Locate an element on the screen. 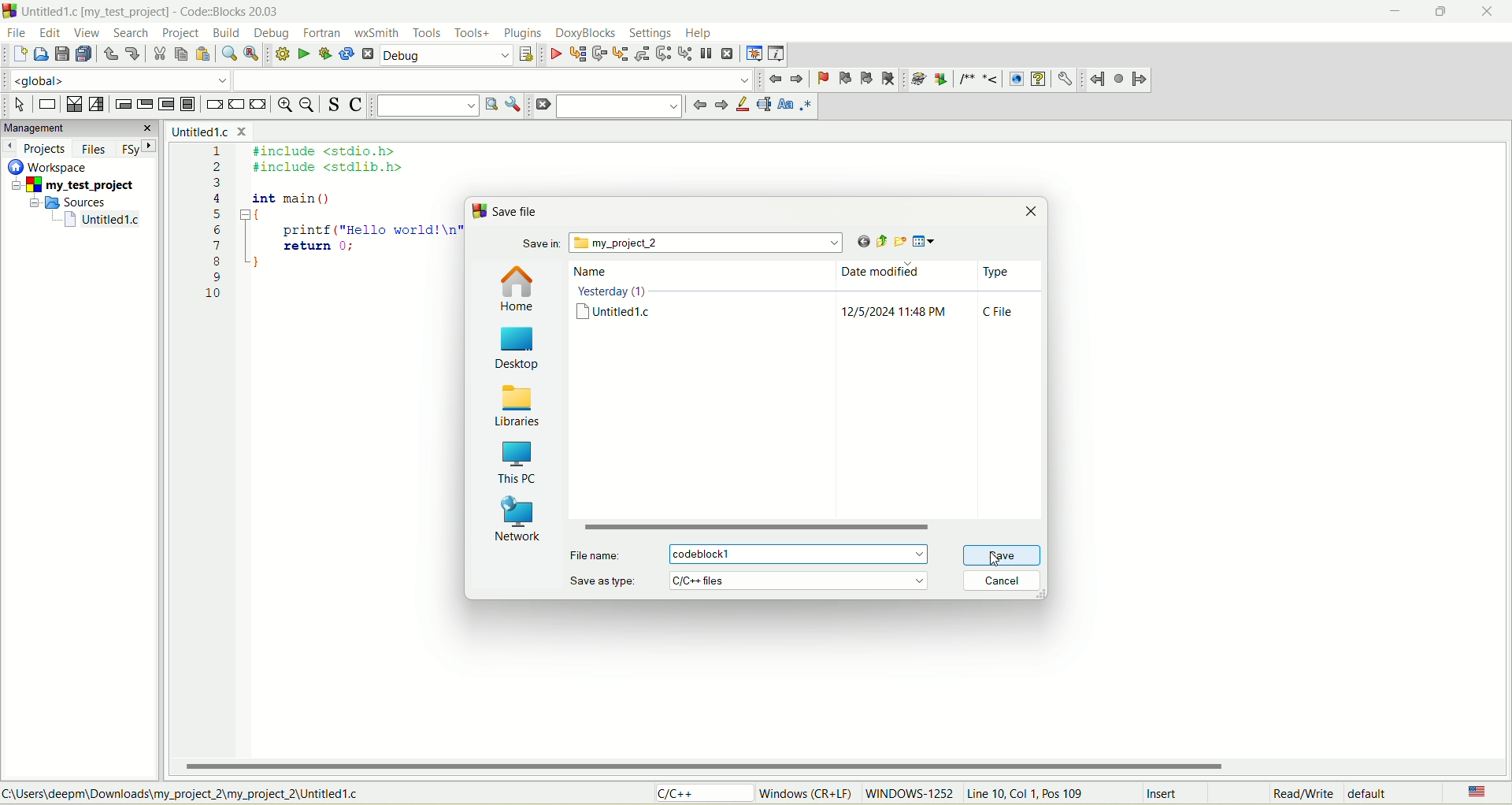 The image size is (1512, 805). blank space is located at coordinates (620, 105).